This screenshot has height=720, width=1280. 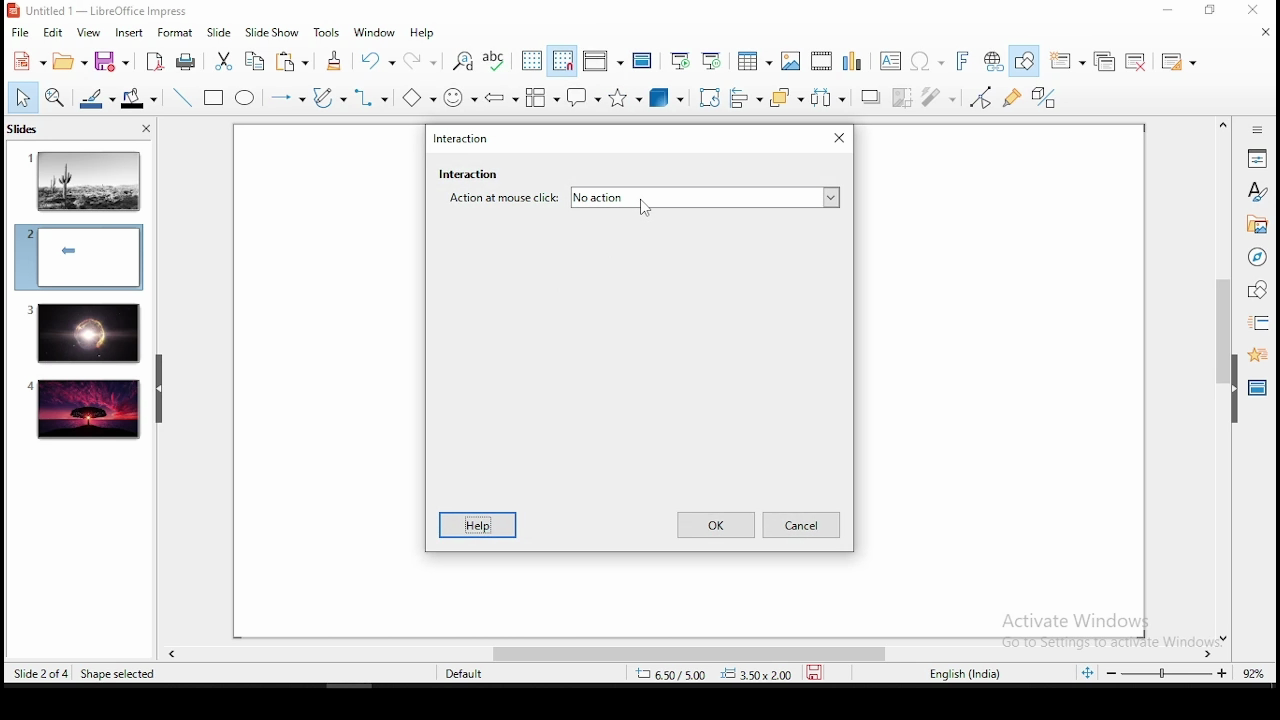 What do you see at coordinates (924, 62) in the screenshot?
I see `special characters` at bounding box center [924, 62].